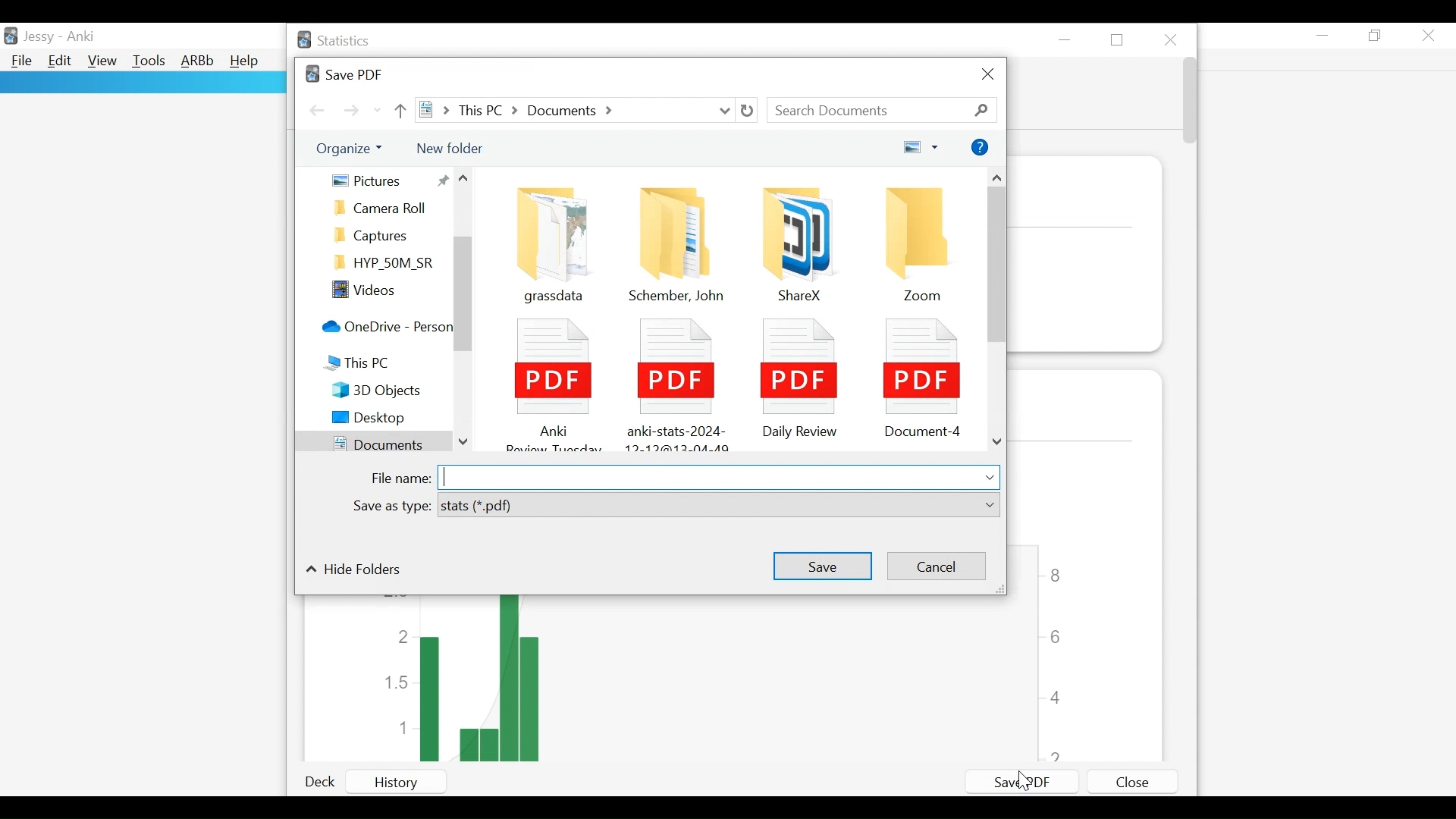 The width and height of the screenshot is (1456, 819). I want to click on Deck, so click(325, 783).